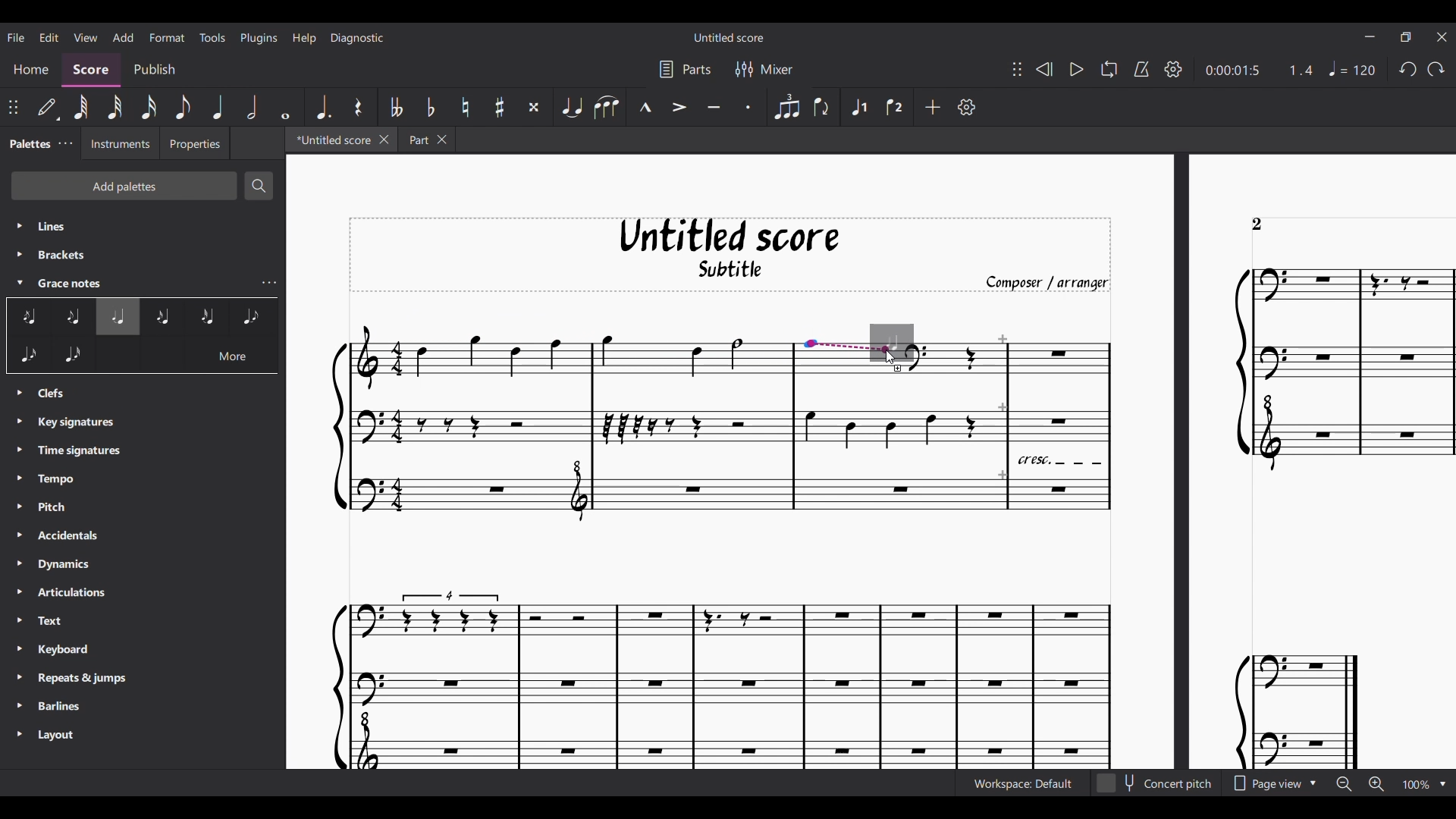 Image resolution: width=1456 pixels, height=819 pixels. What do you see at coordinates (259, 186) in the screenshot?
I see `Search palette` at bounding box center [259, 186].